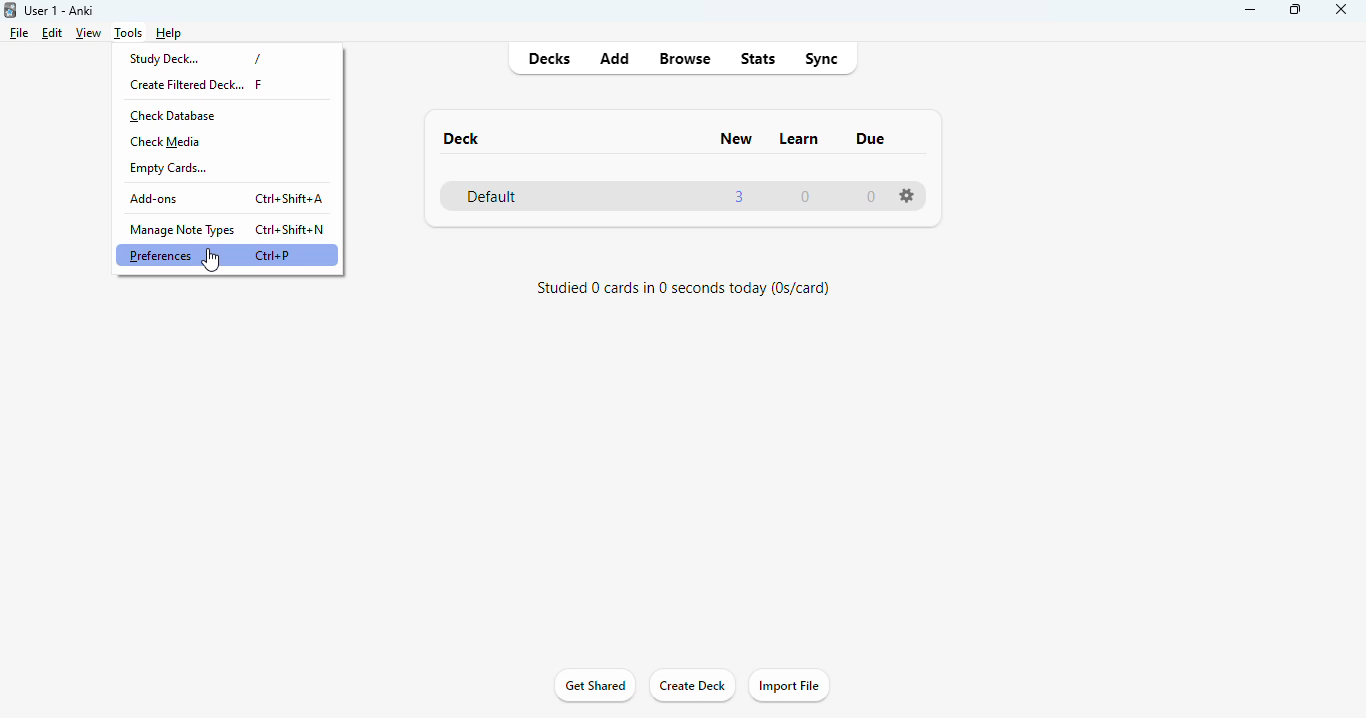 The height and width of the screenshot is (718, 1366). Describe the element at coordinates (168, 33) in the screenshot. I see `help` at that location.